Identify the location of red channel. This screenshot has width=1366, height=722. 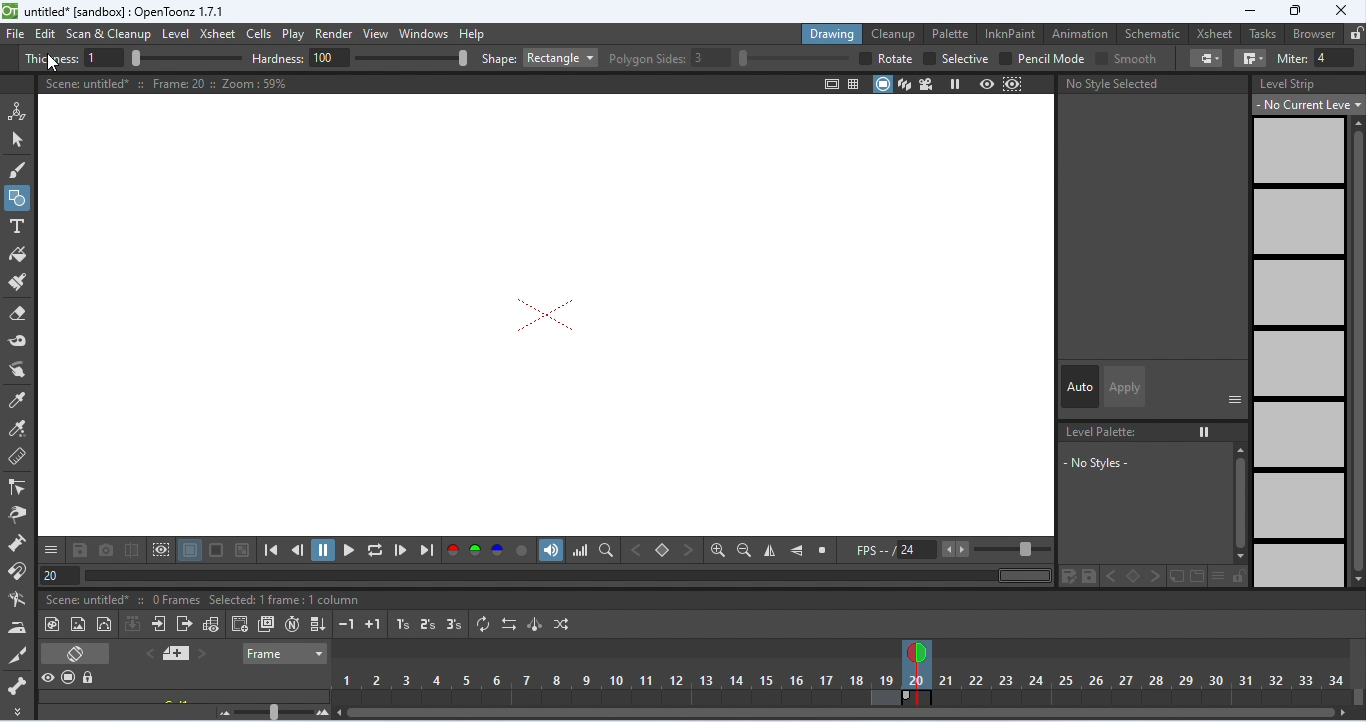
(452, 551).